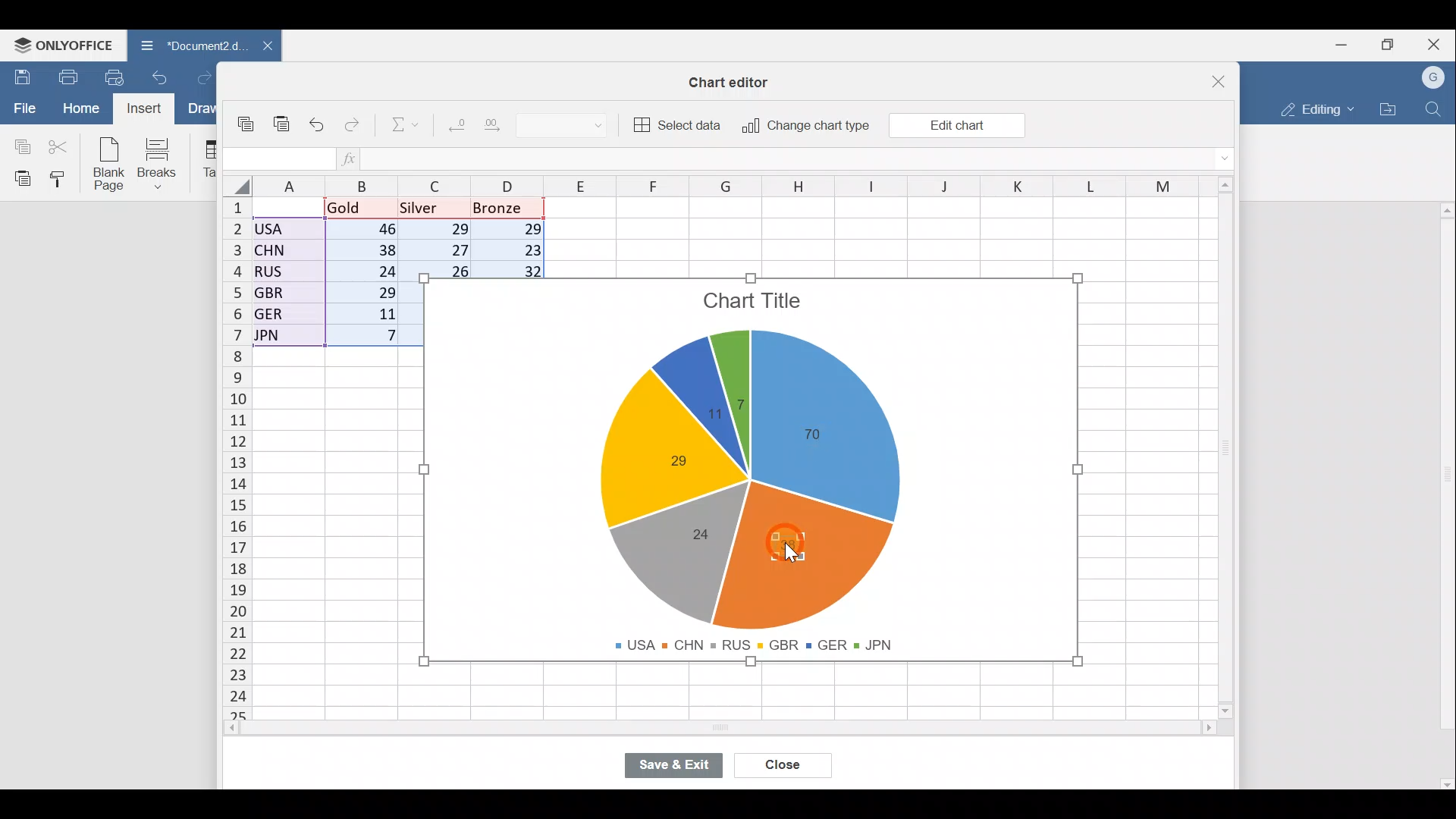  Describe the element at coordinates (1347, 43) in the screenshot. I see `Minimize` at that location.